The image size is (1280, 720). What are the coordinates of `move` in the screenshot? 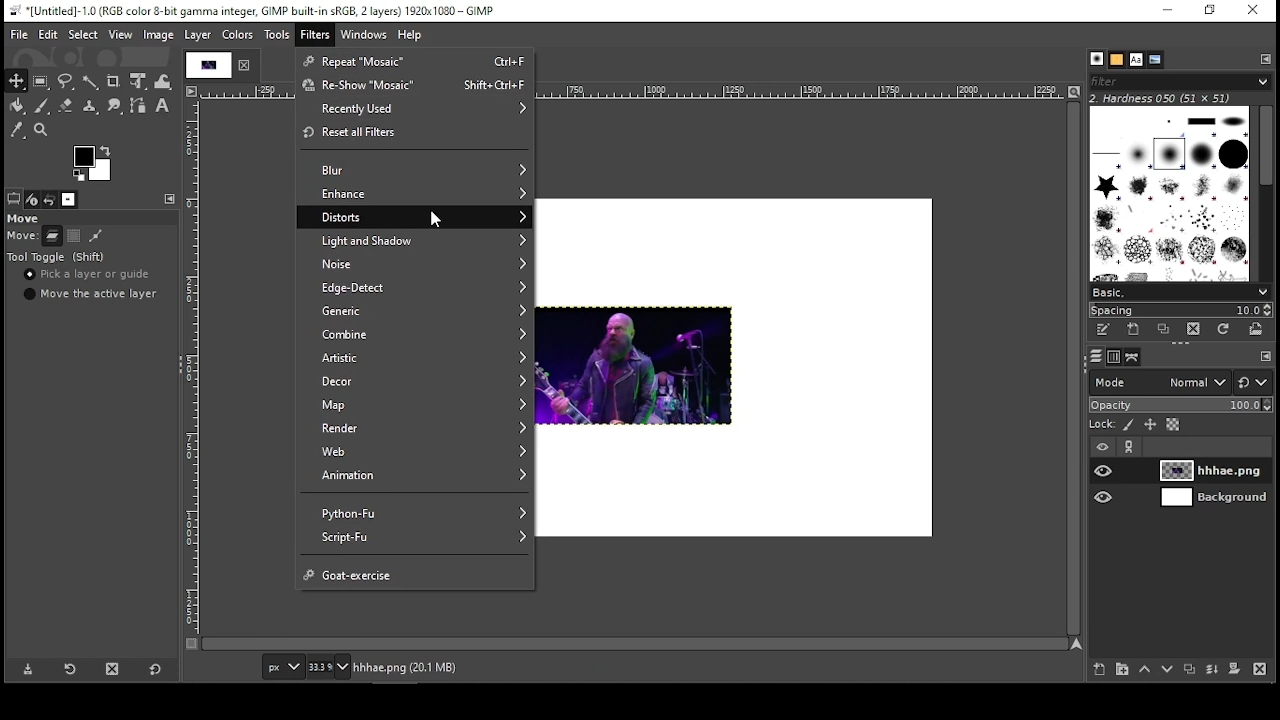 It's located at (26, 218).